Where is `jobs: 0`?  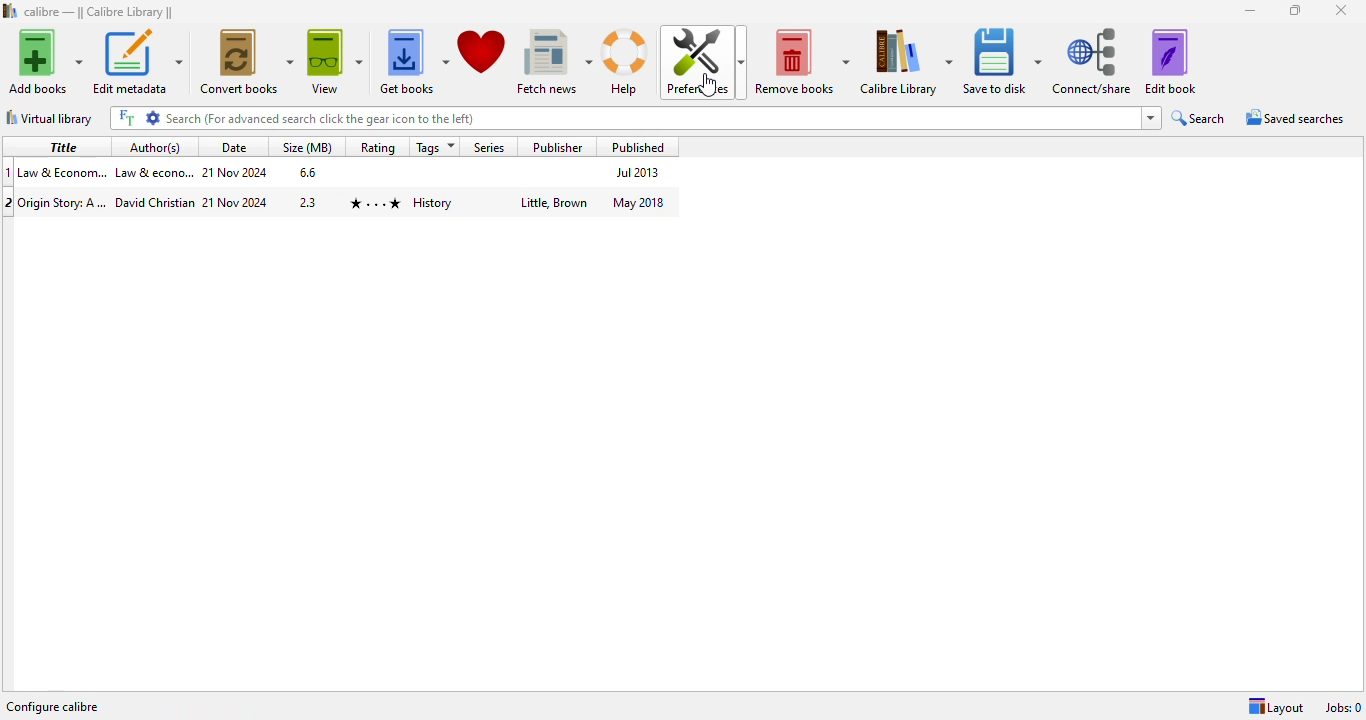
jobs: 0 is located at coordinates (1343, 707).